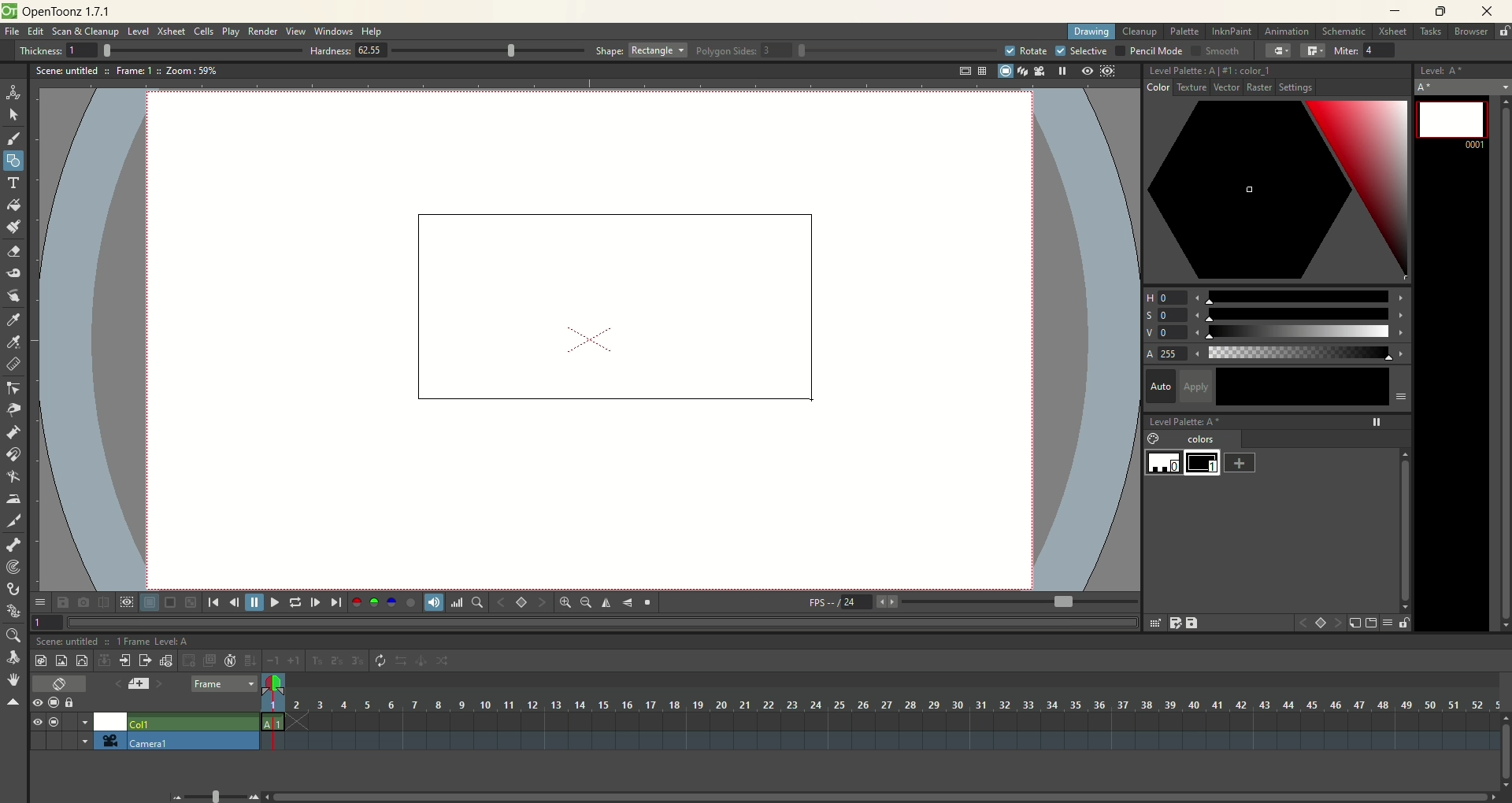 This screenshot has height=803, width=1512. I want to click on fill tool, so click(13, 205).